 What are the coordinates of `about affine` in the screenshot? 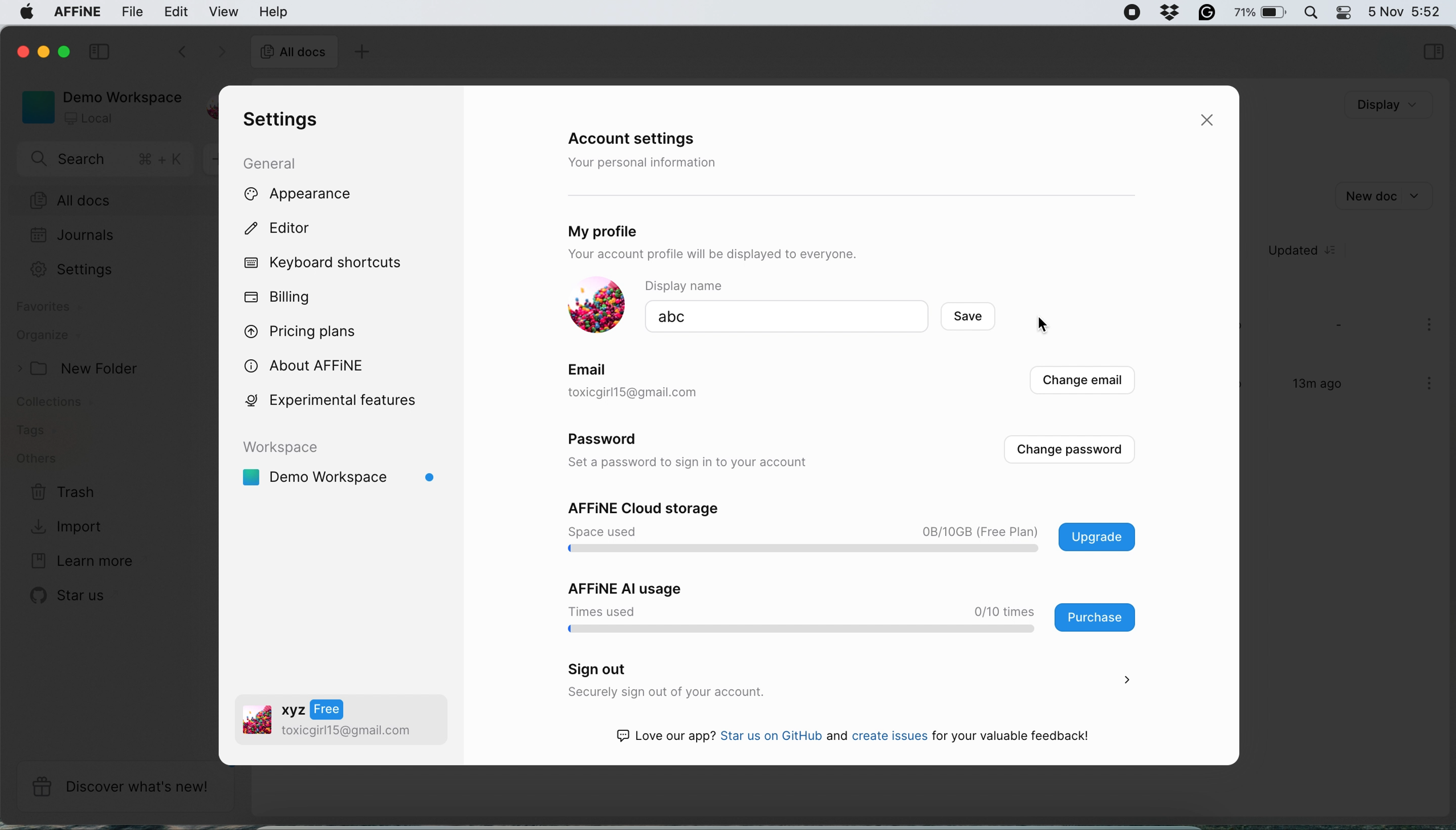 It's located at (311, 364).